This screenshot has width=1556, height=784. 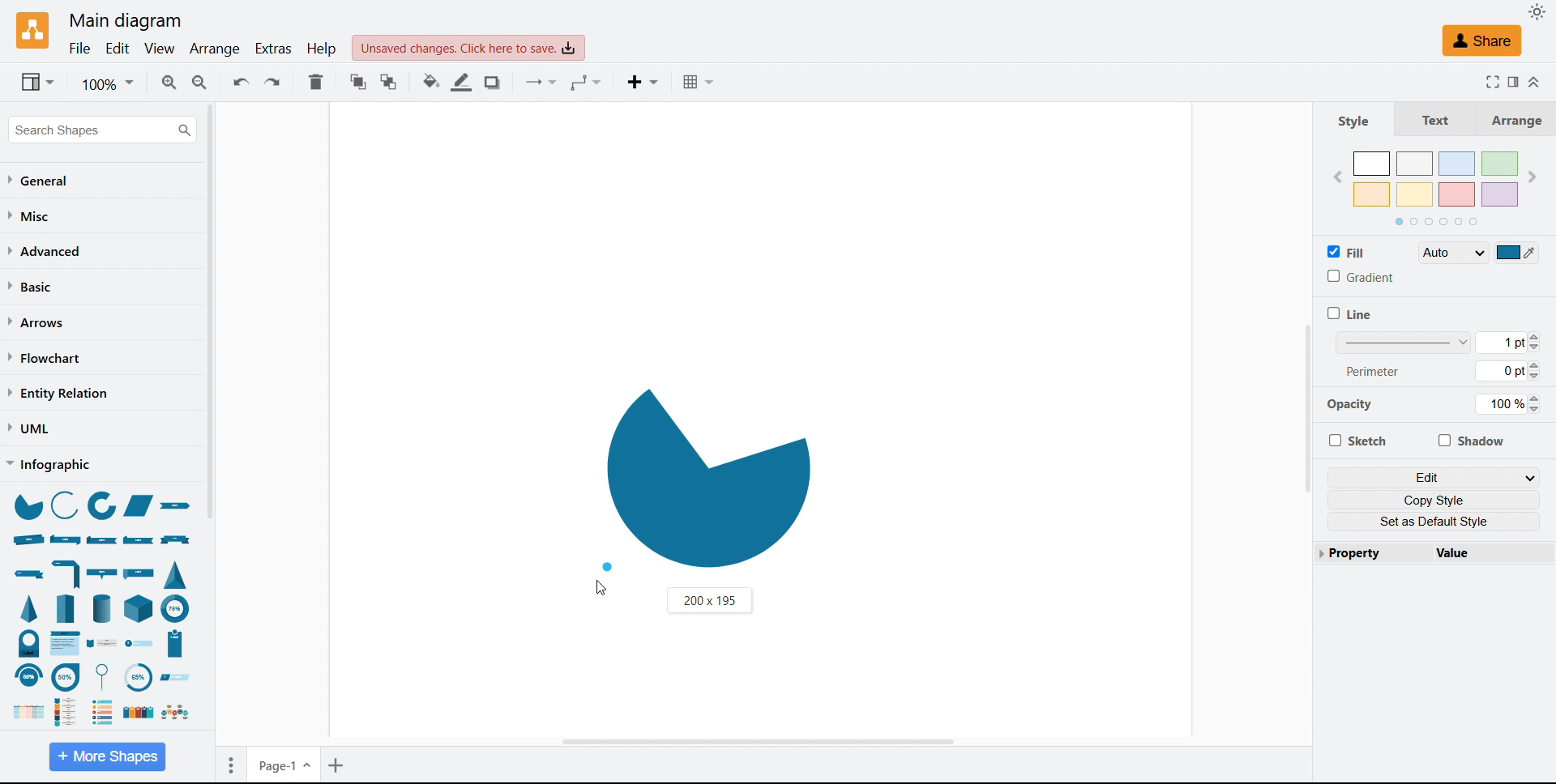 What do you see at coordinates (176, 540) in the screenshot?
I see `banner` at bounding box center [176, 540].